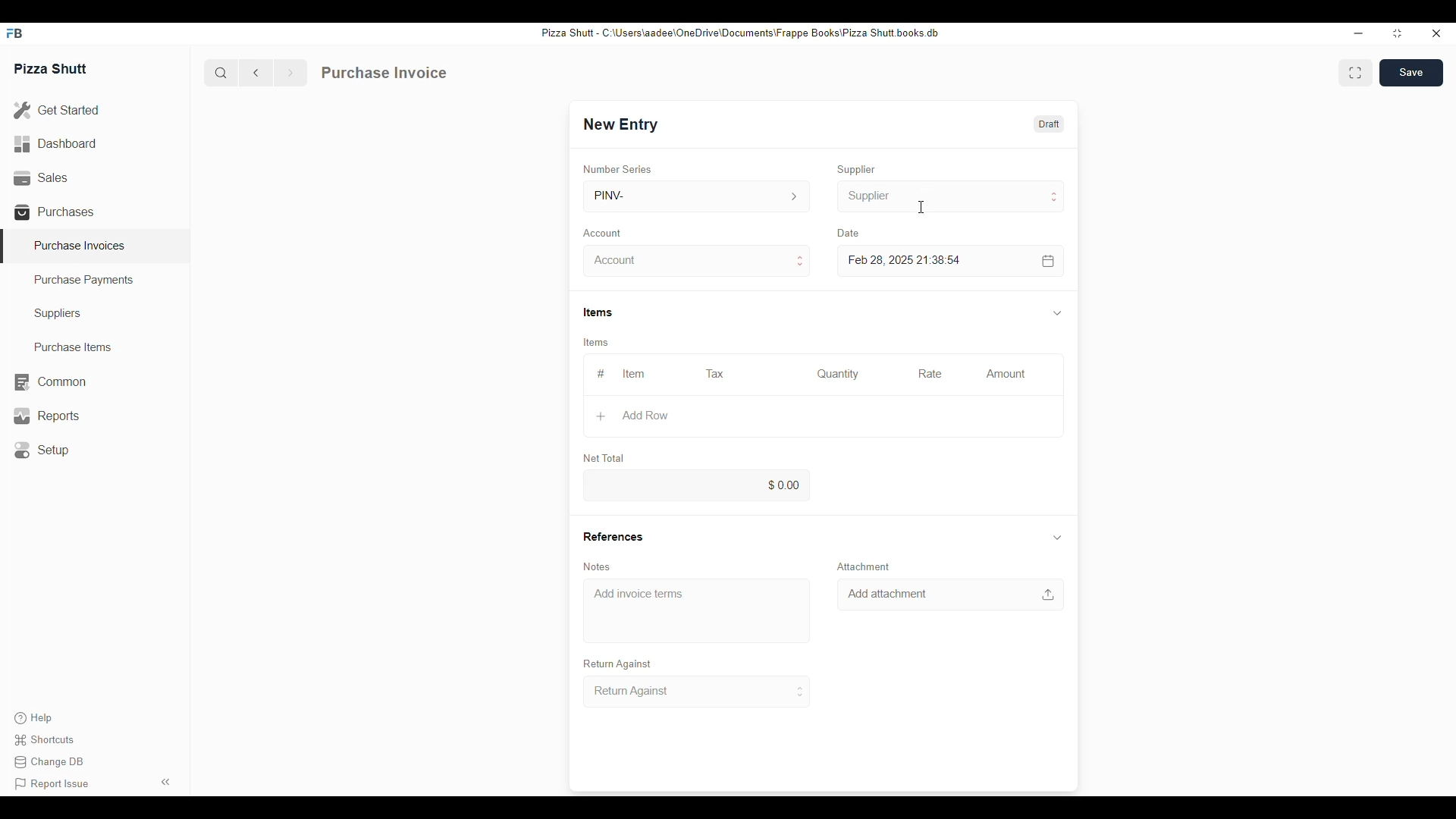 Image resolution: width=1456 pixels, height=819 pixels. What do you see at coordinates (384, 73) in the screenshot?
I see `Purchase Invoice` at bounding box center [384, 73].